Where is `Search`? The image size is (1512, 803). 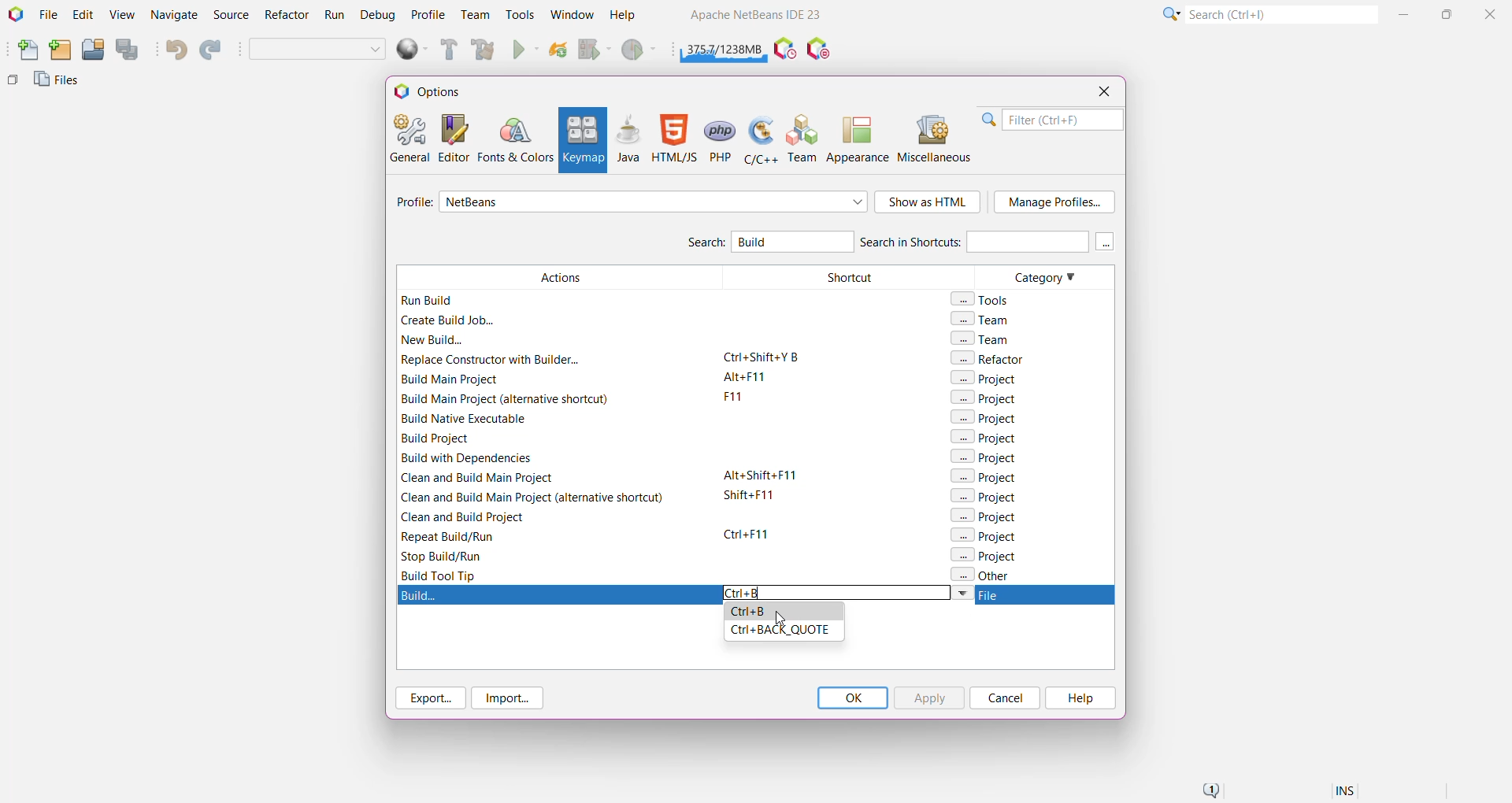
Search is located at coordinates (1280, 13).